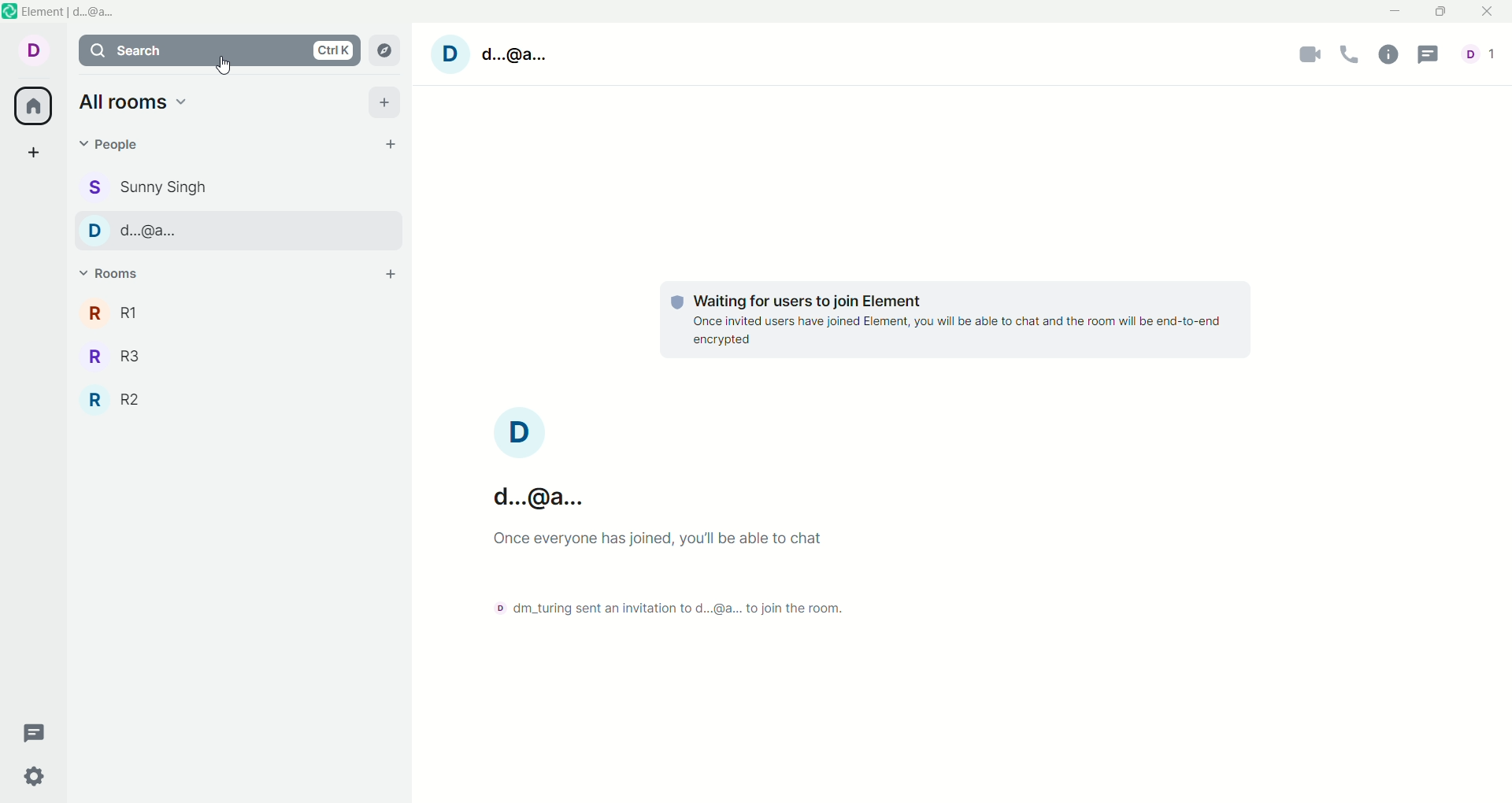  Describe the element at coordinates (1478, 54) in the screenshot. I see `account` at that location.